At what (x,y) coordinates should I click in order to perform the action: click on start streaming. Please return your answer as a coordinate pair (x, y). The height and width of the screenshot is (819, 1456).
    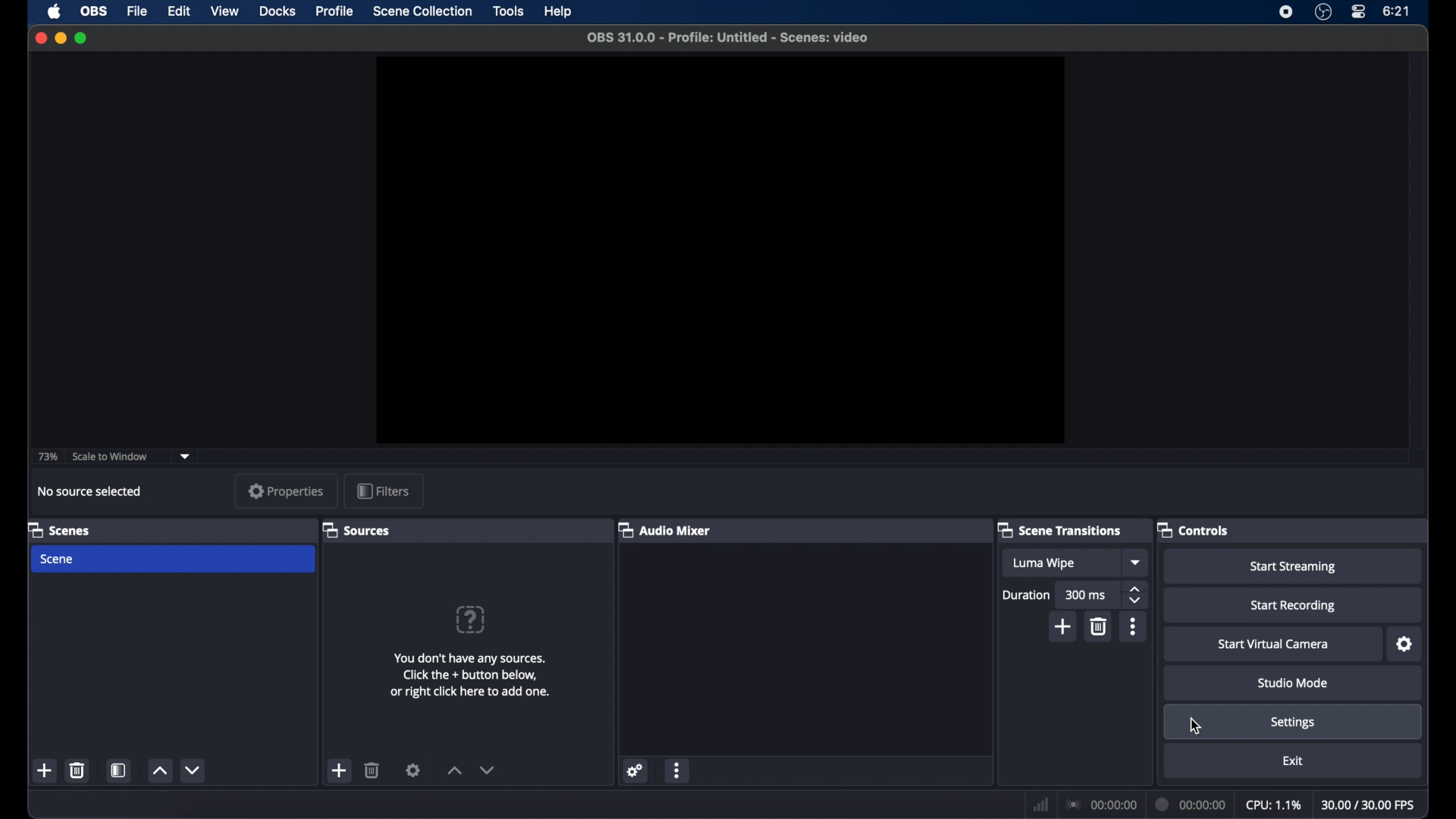
    Looking at the image, I should click on (1294, 566).